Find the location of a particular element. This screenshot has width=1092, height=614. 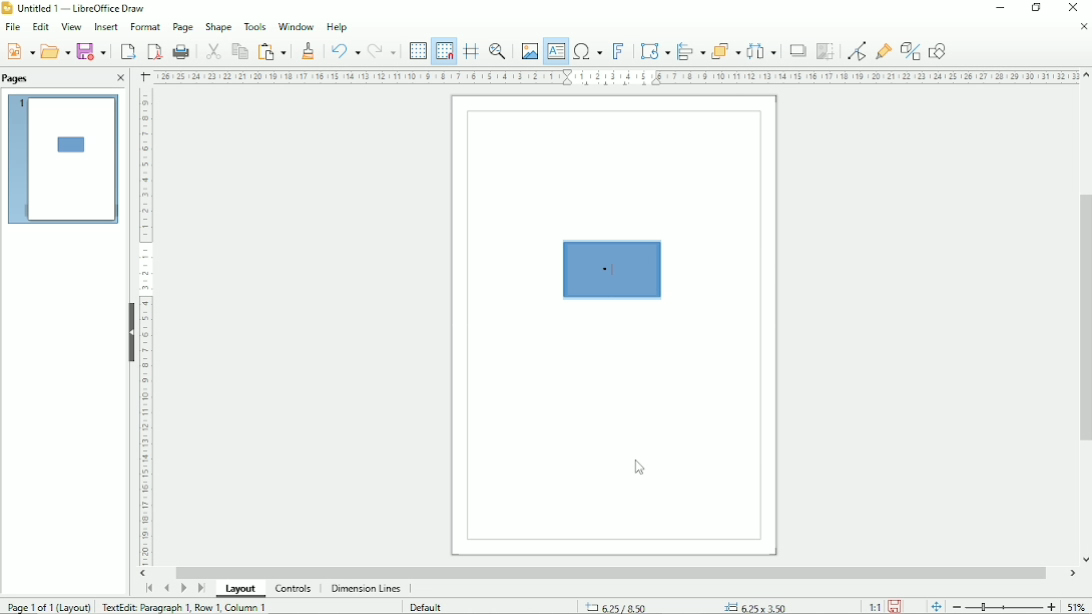

Scaling factor is located at coordinates (874, 607).